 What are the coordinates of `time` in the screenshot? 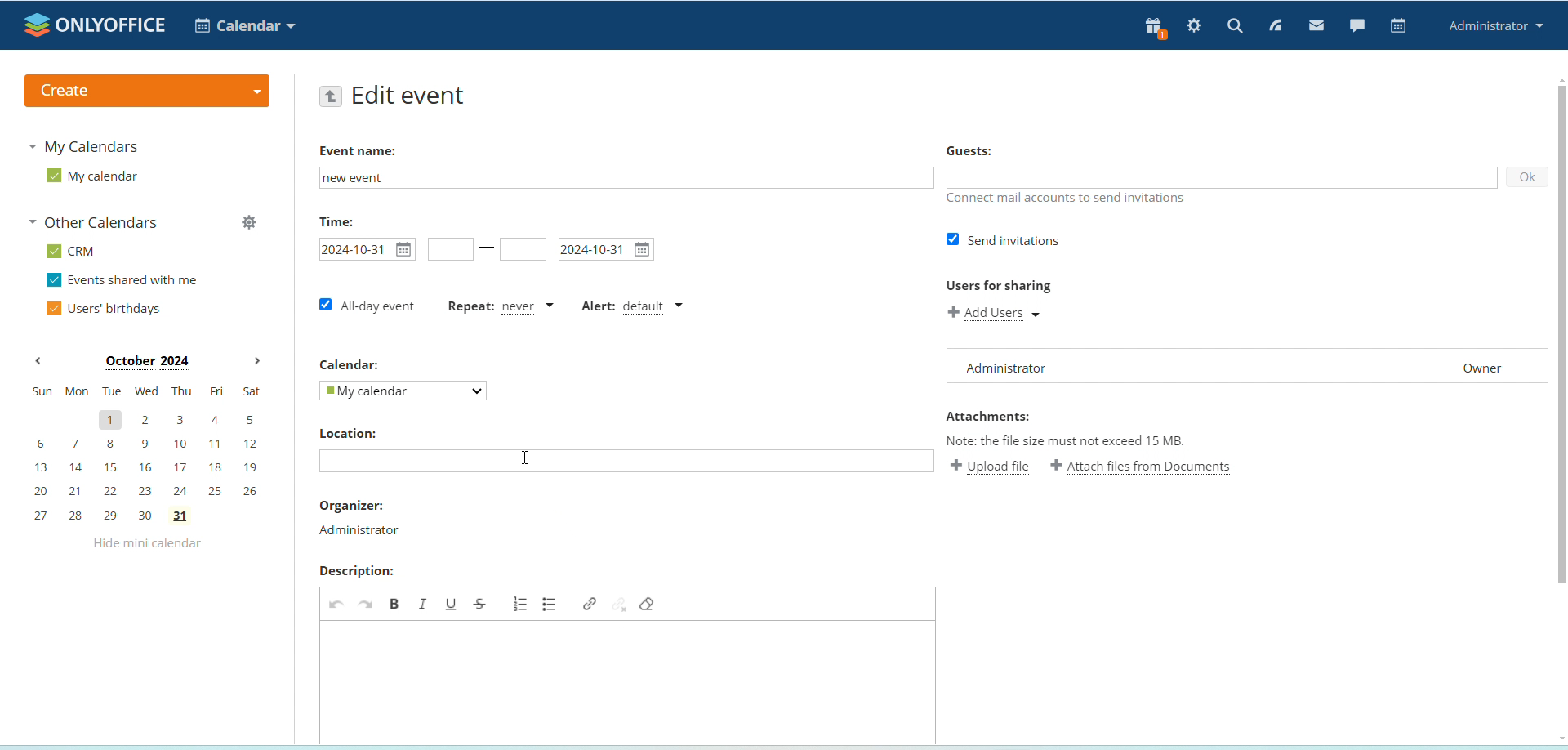 It's located at (336, 221).